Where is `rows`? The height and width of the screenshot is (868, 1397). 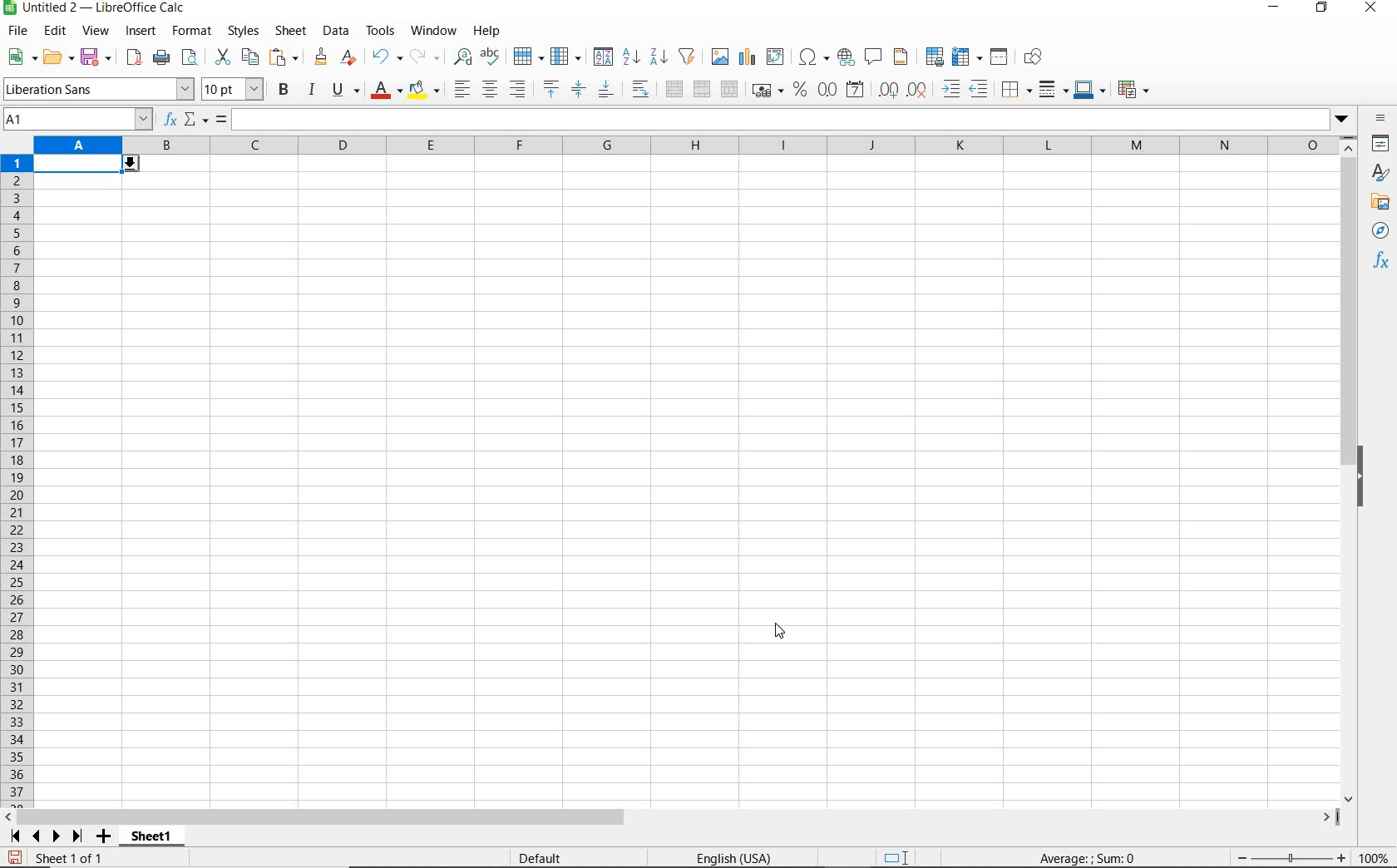 rows is located at coordinates (17, 481).